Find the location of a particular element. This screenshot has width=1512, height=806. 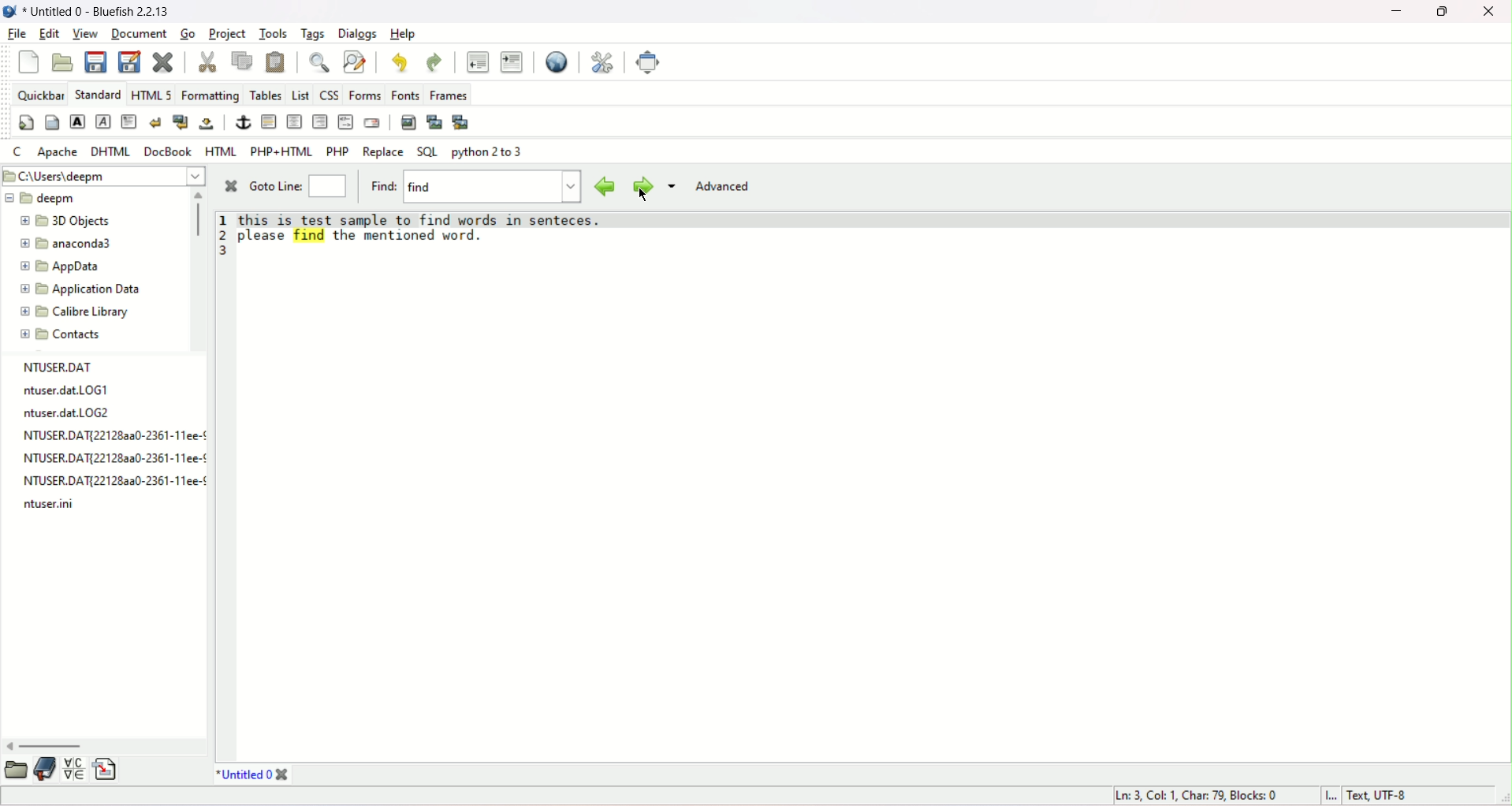

preview in browser is located at coordinates (557, 62).